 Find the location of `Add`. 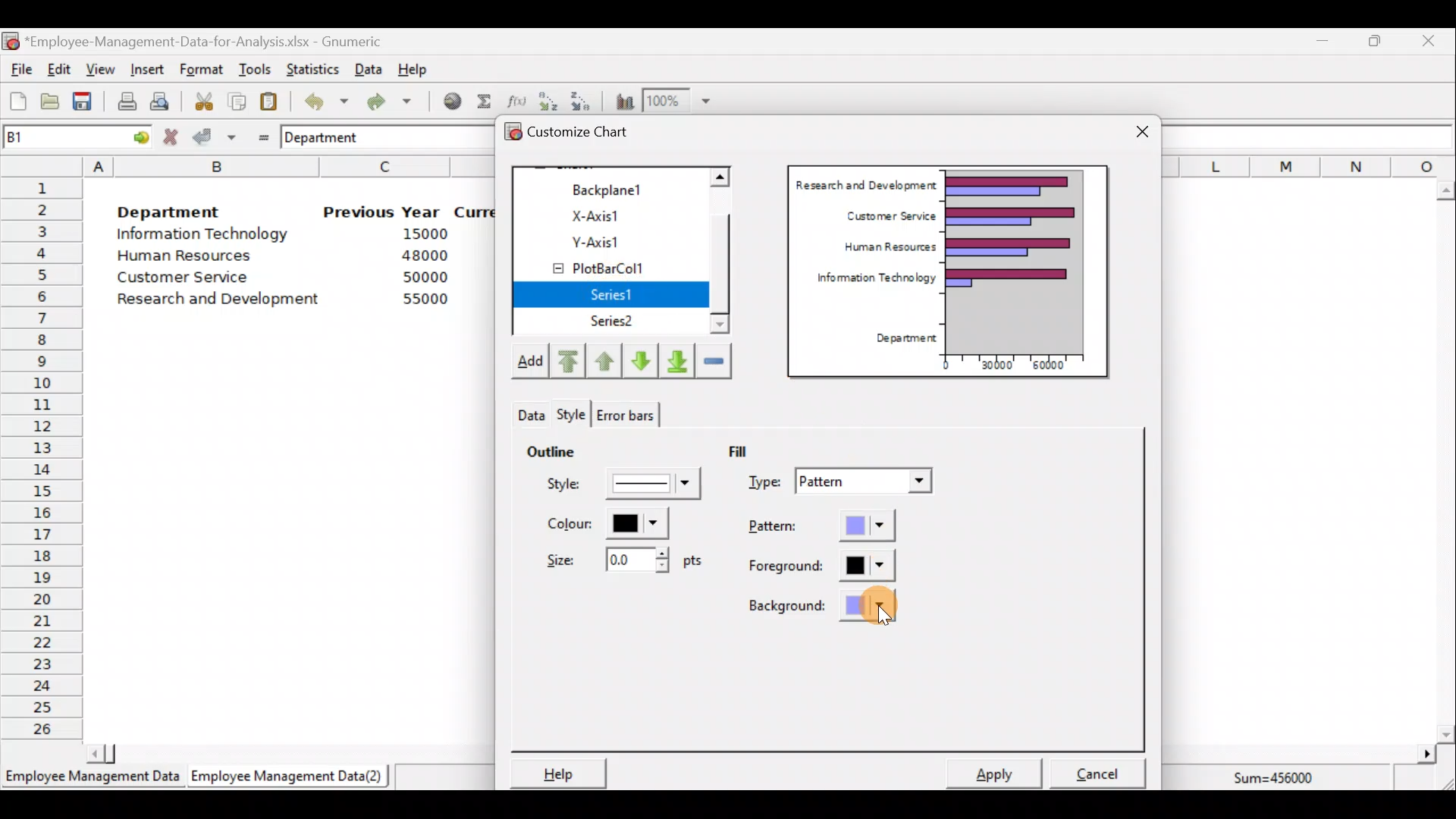

Add is located at coordinates (529, 364).